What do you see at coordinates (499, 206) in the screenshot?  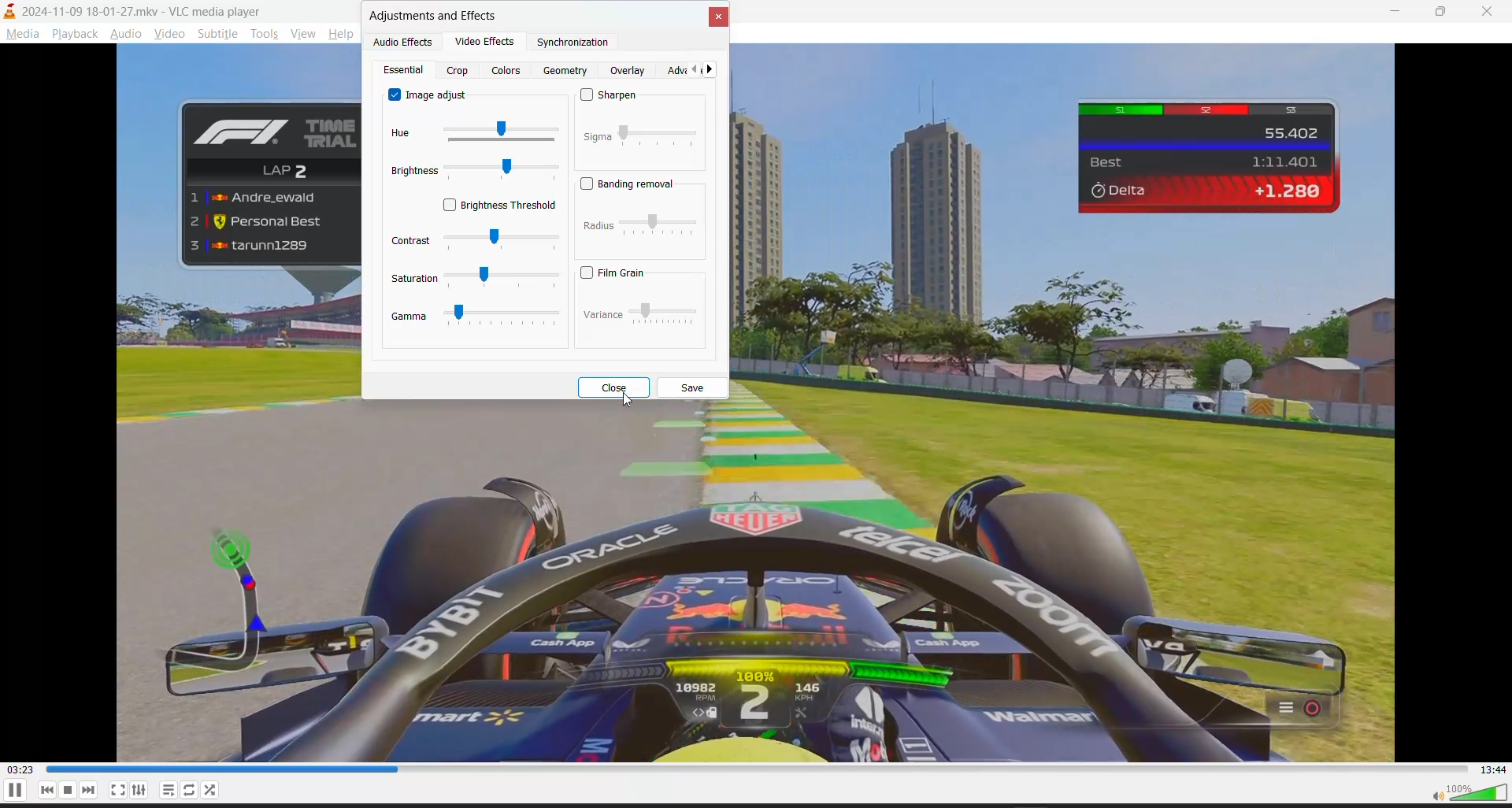 I see `brightness threshold` at bounding box center [499, 206].